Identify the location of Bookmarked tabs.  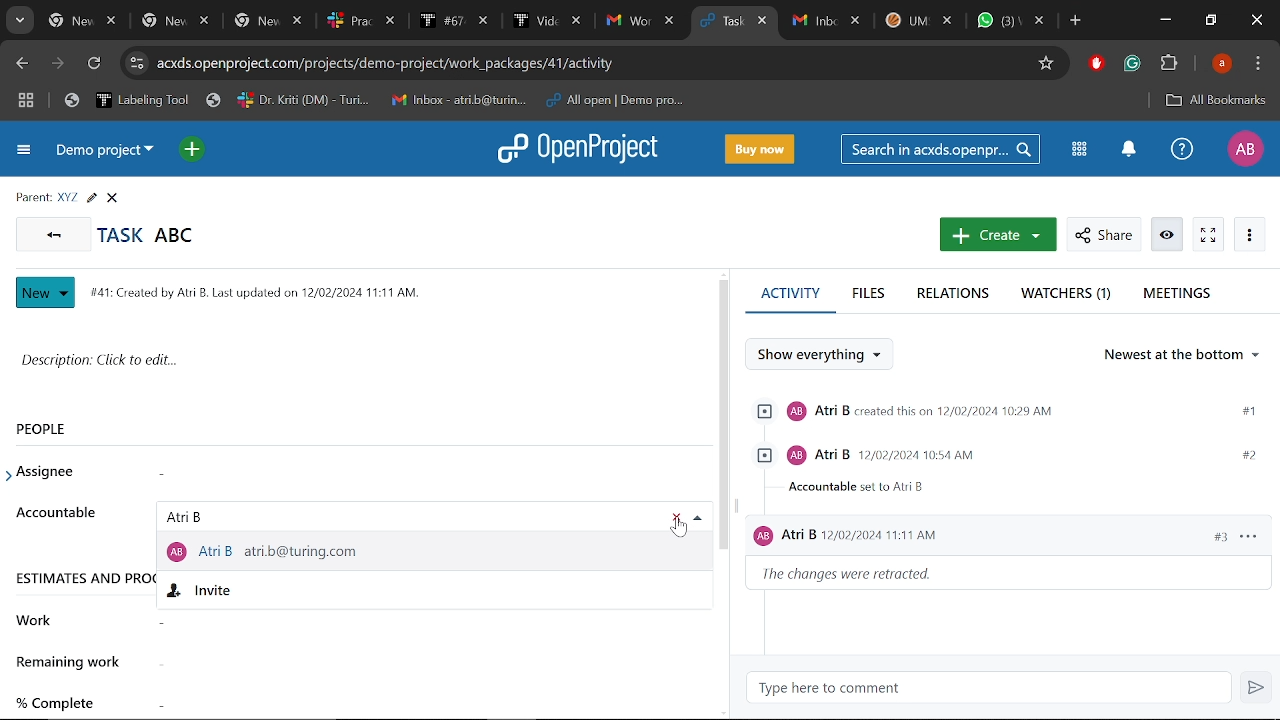
(388, 100).